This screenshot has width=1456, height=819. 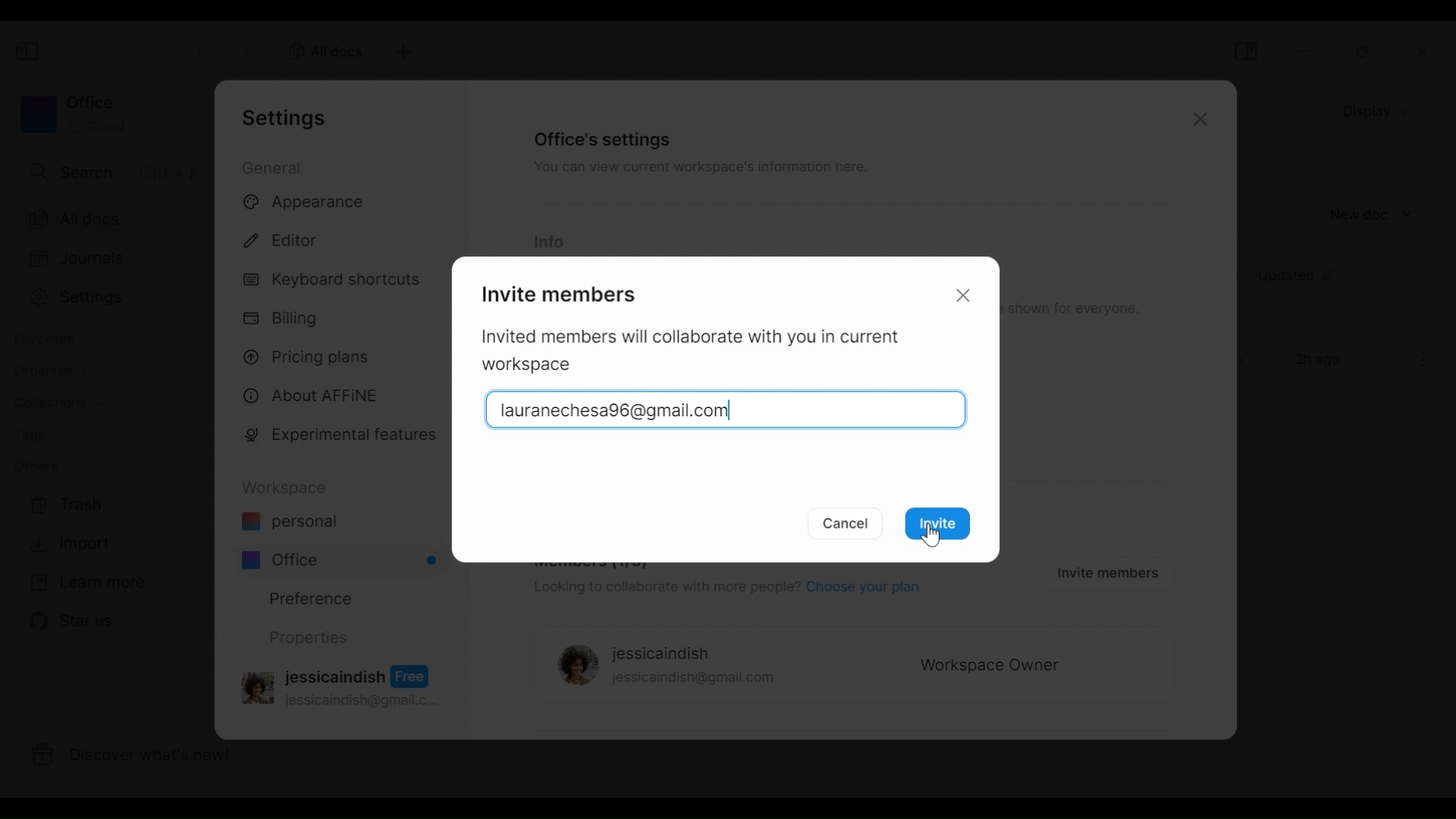 I want to click on Settings, so click(x=105, y=297).